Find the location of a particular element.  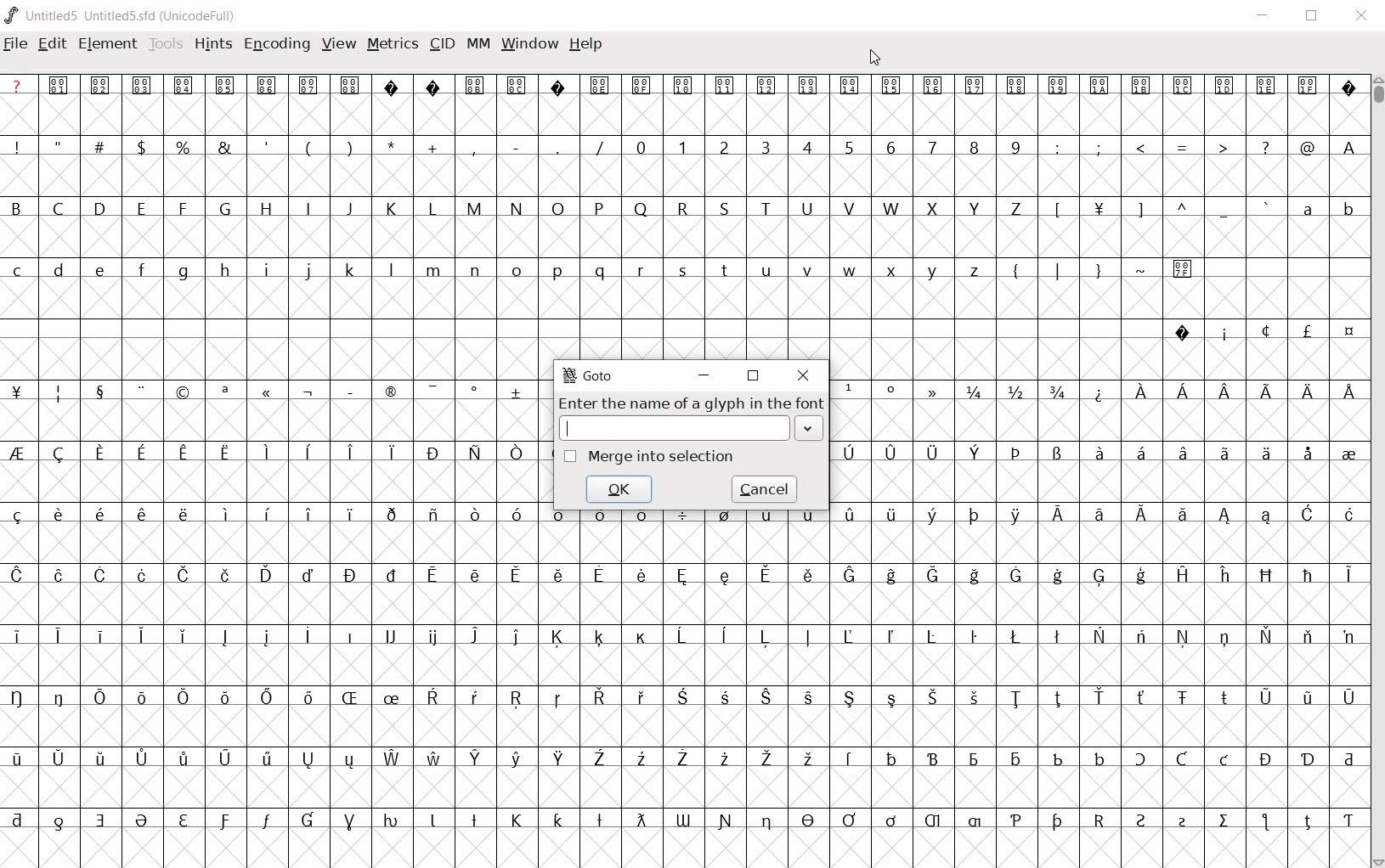

Symbol is located at coordinates (1184, 268).